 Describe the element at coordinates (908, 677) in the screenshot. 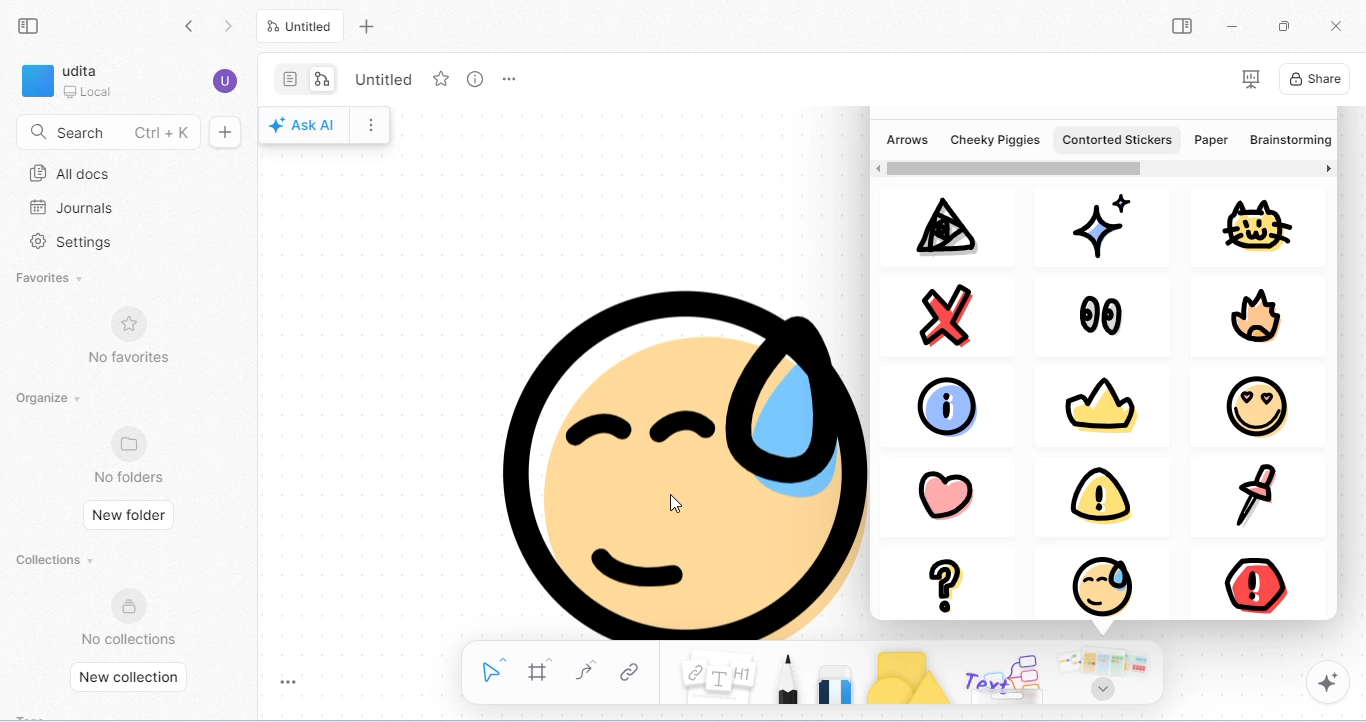

I see `shapes` at that location.